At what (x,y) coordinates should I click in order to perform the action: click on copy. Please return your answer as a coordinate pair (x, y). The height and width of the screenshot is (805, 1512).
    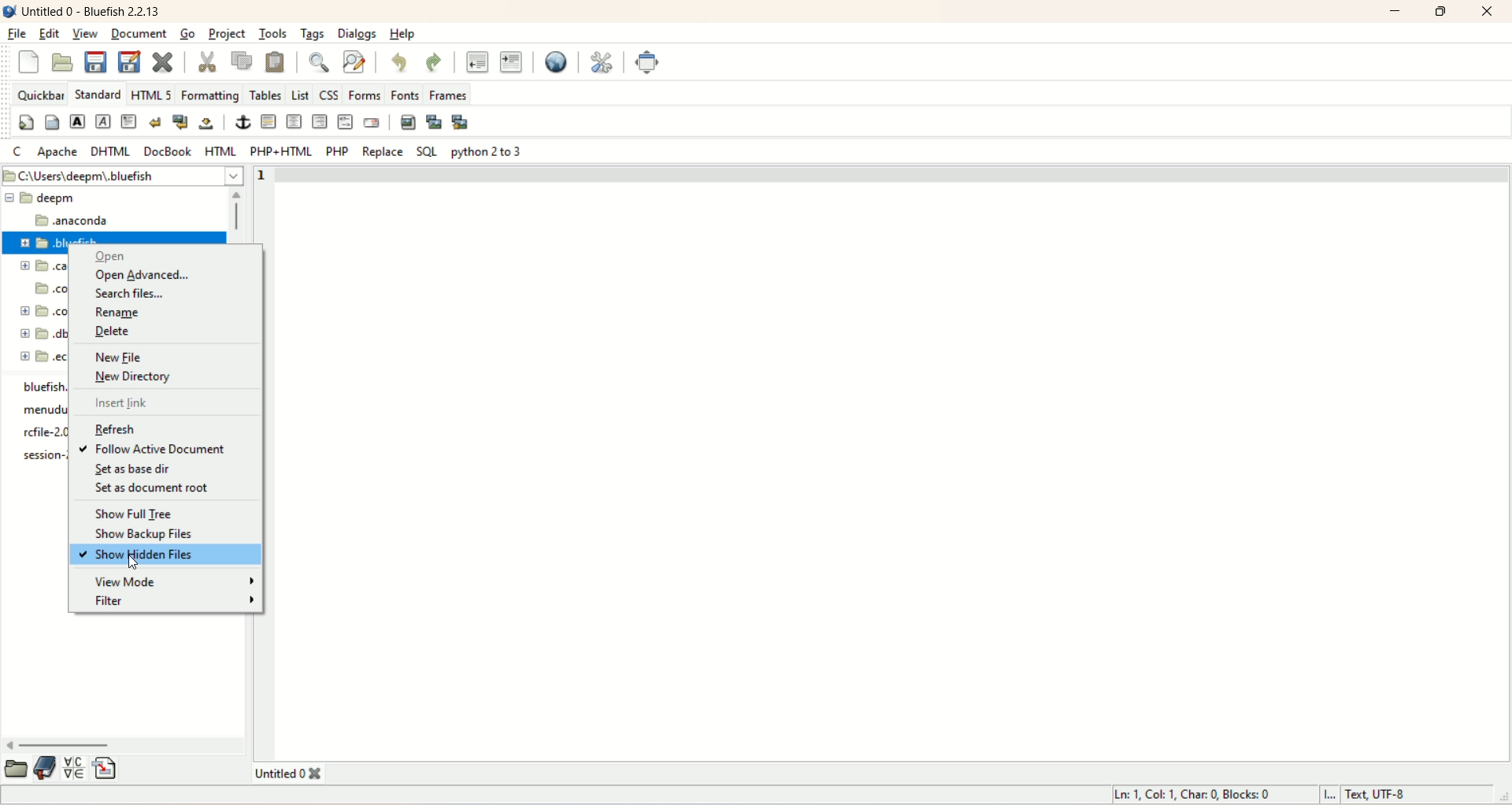
    Looking at the image, I should click on (242, 61).